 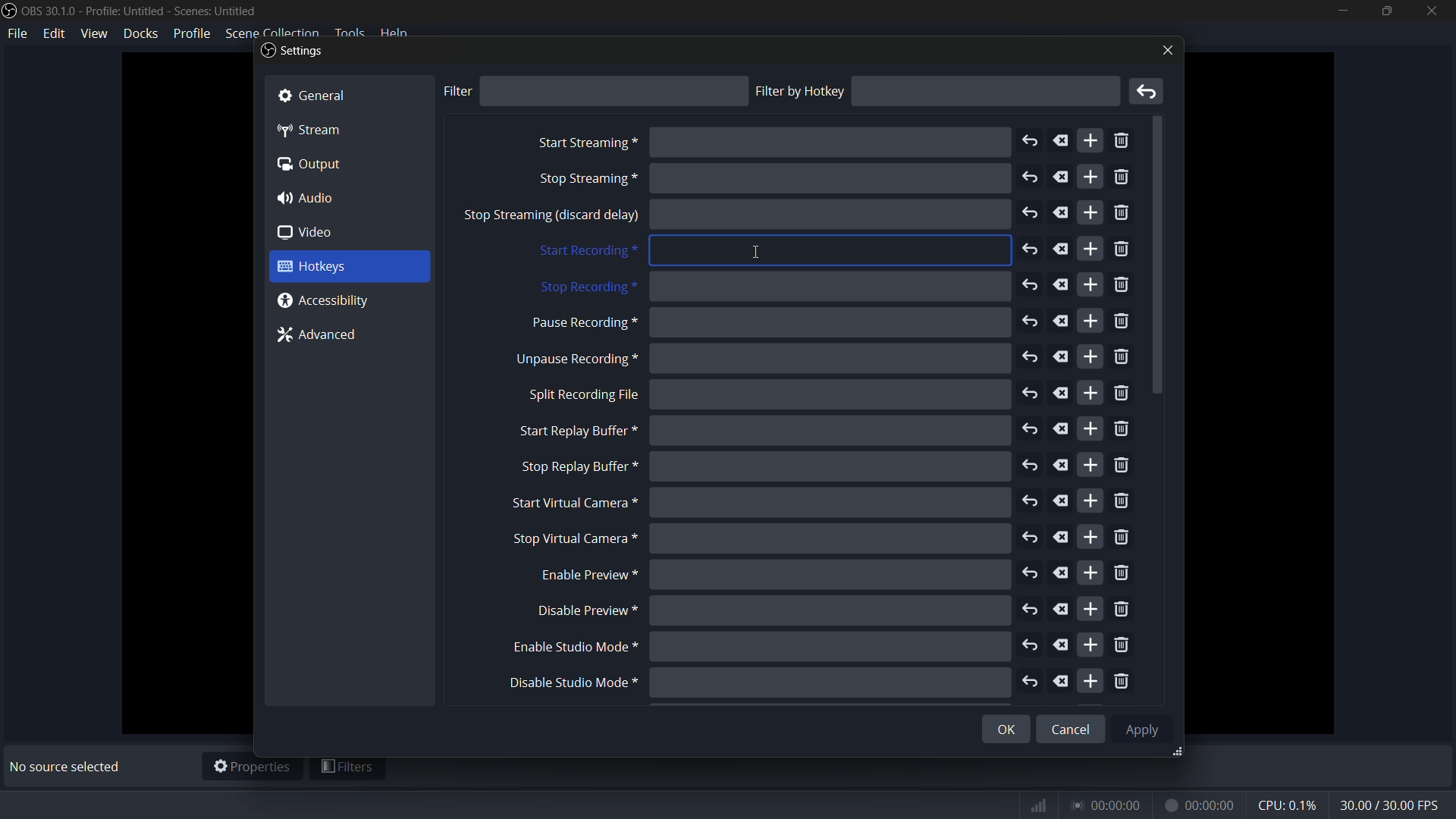 What do you see at coordinates (1092, 249) in the screenshot?
I see `add more` at bounding box center [1092, 249].